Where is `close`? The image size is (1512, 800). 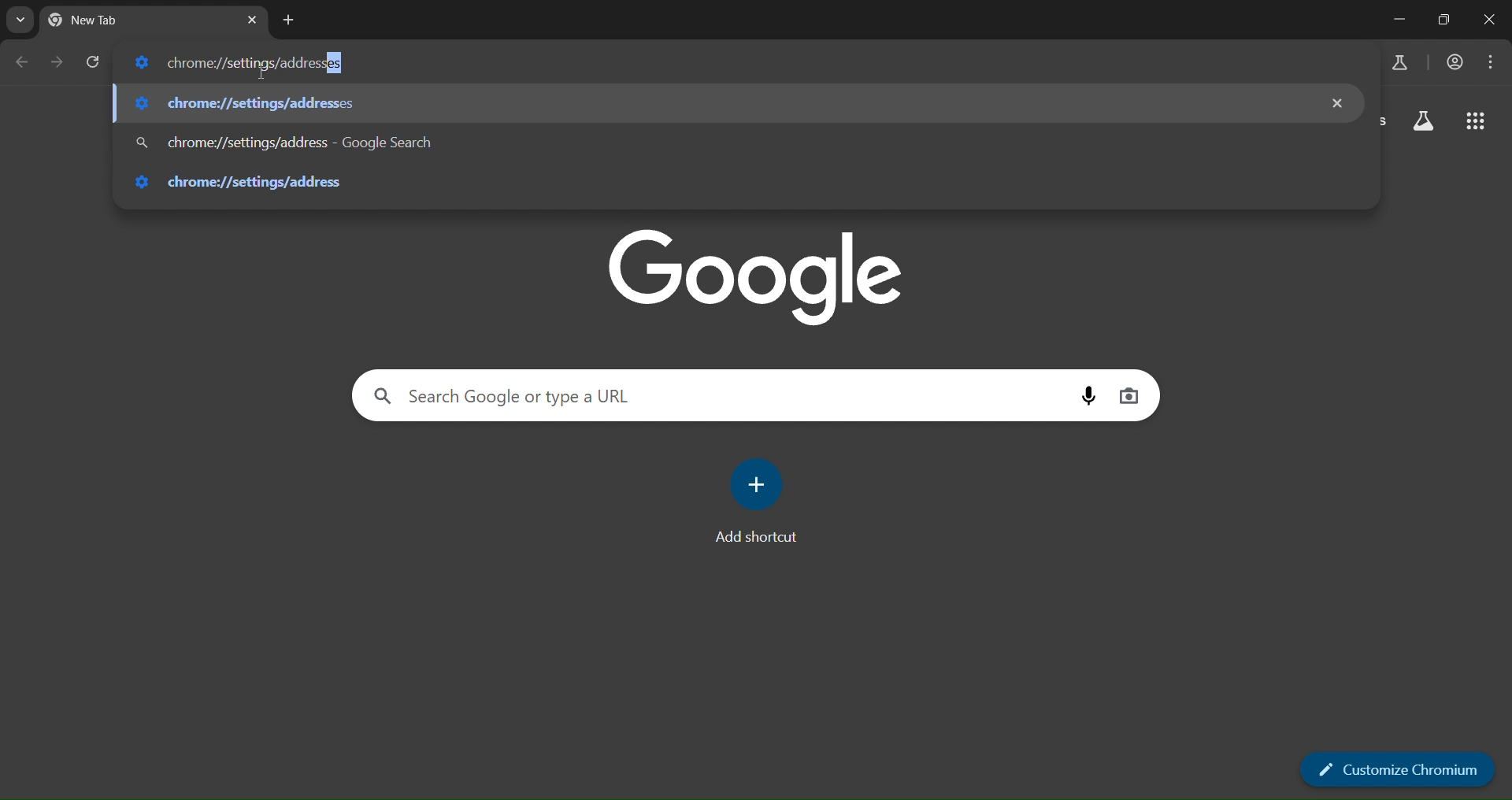 close is located at coordinates (1492, 21).